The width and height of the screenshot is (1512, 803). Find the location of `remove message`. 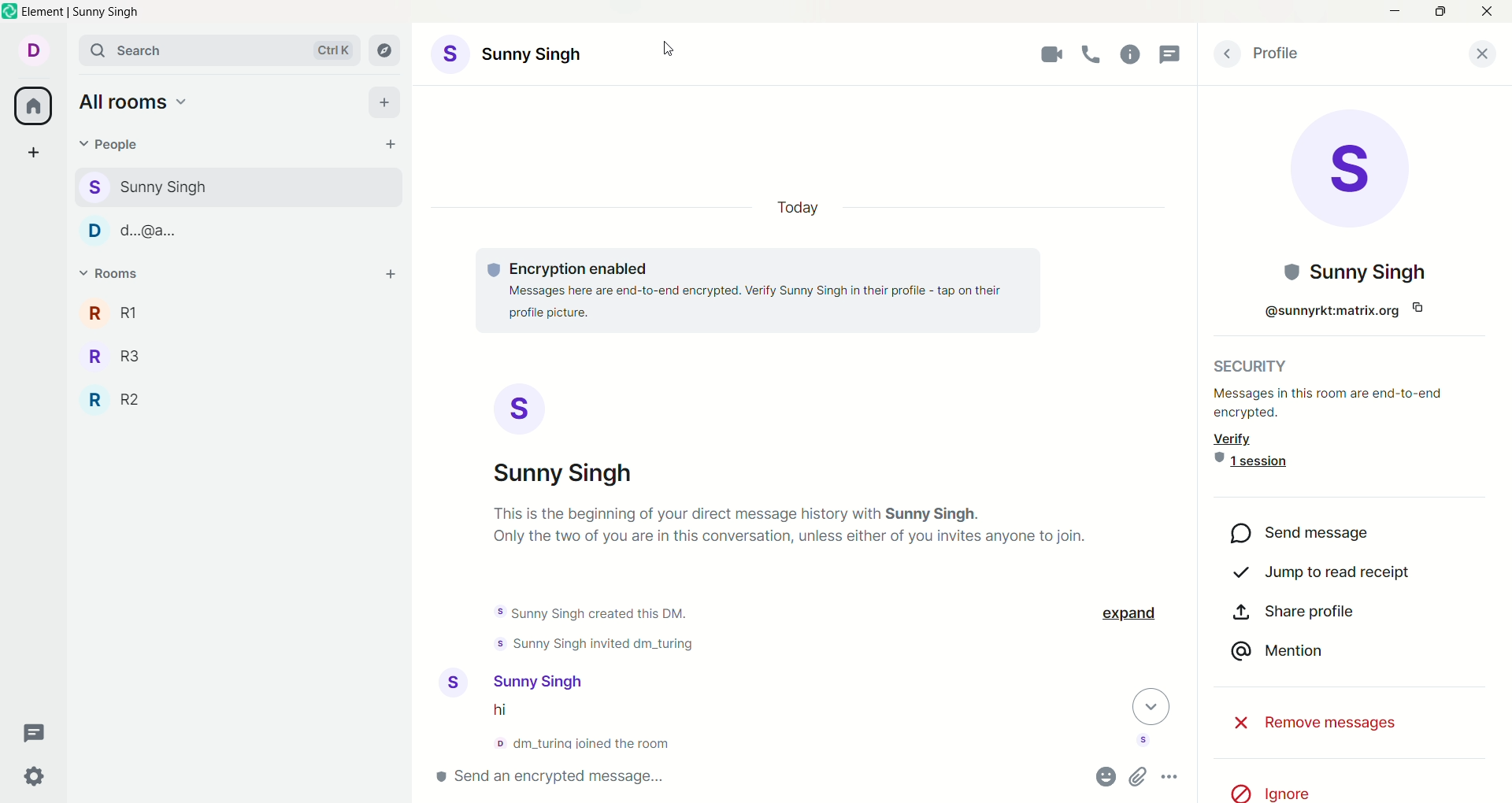

remove message is located at coordinates (1306, 720).